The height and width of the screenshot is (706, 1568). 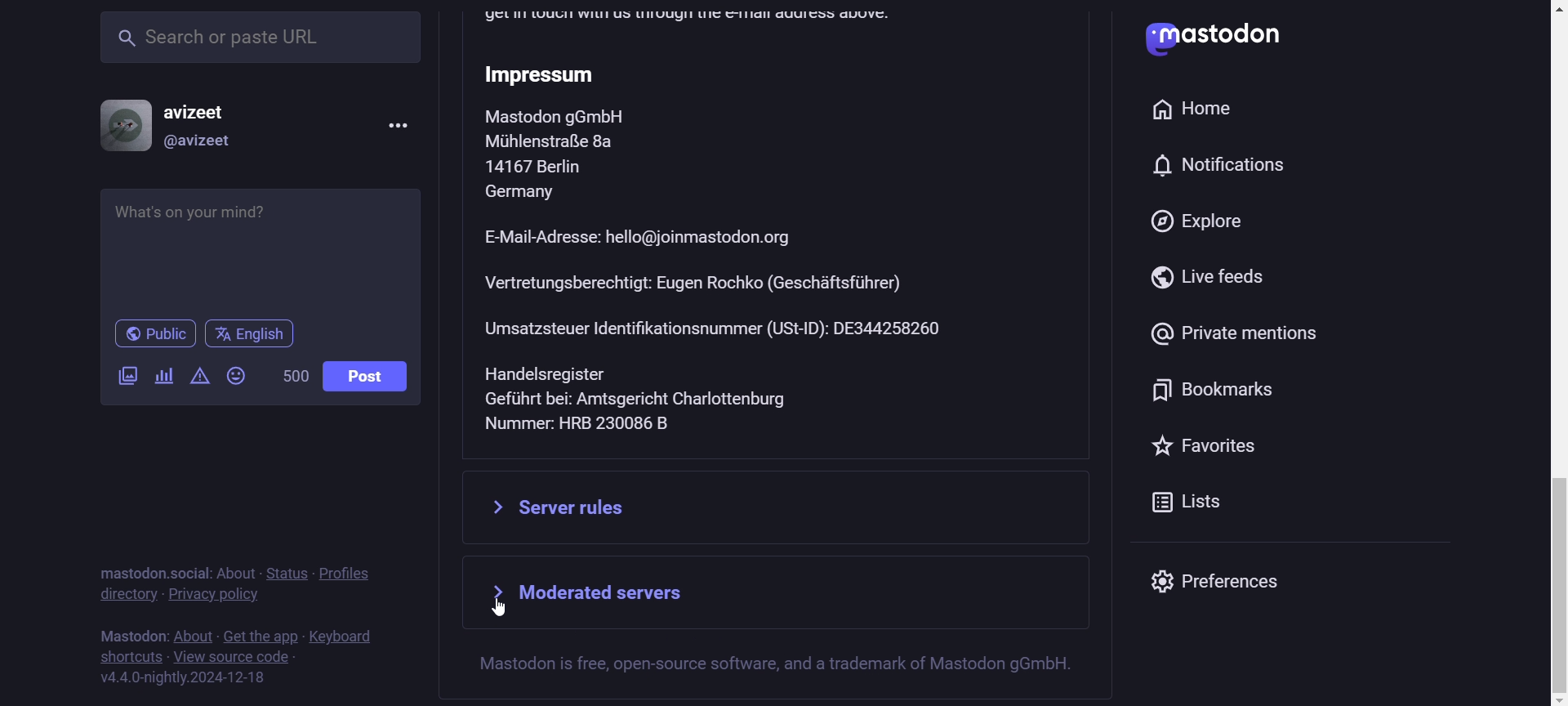 What do you see at coordinates (1548, 700) in the screenshot?
I see `scroll down` at bounding box center [1548, 700].